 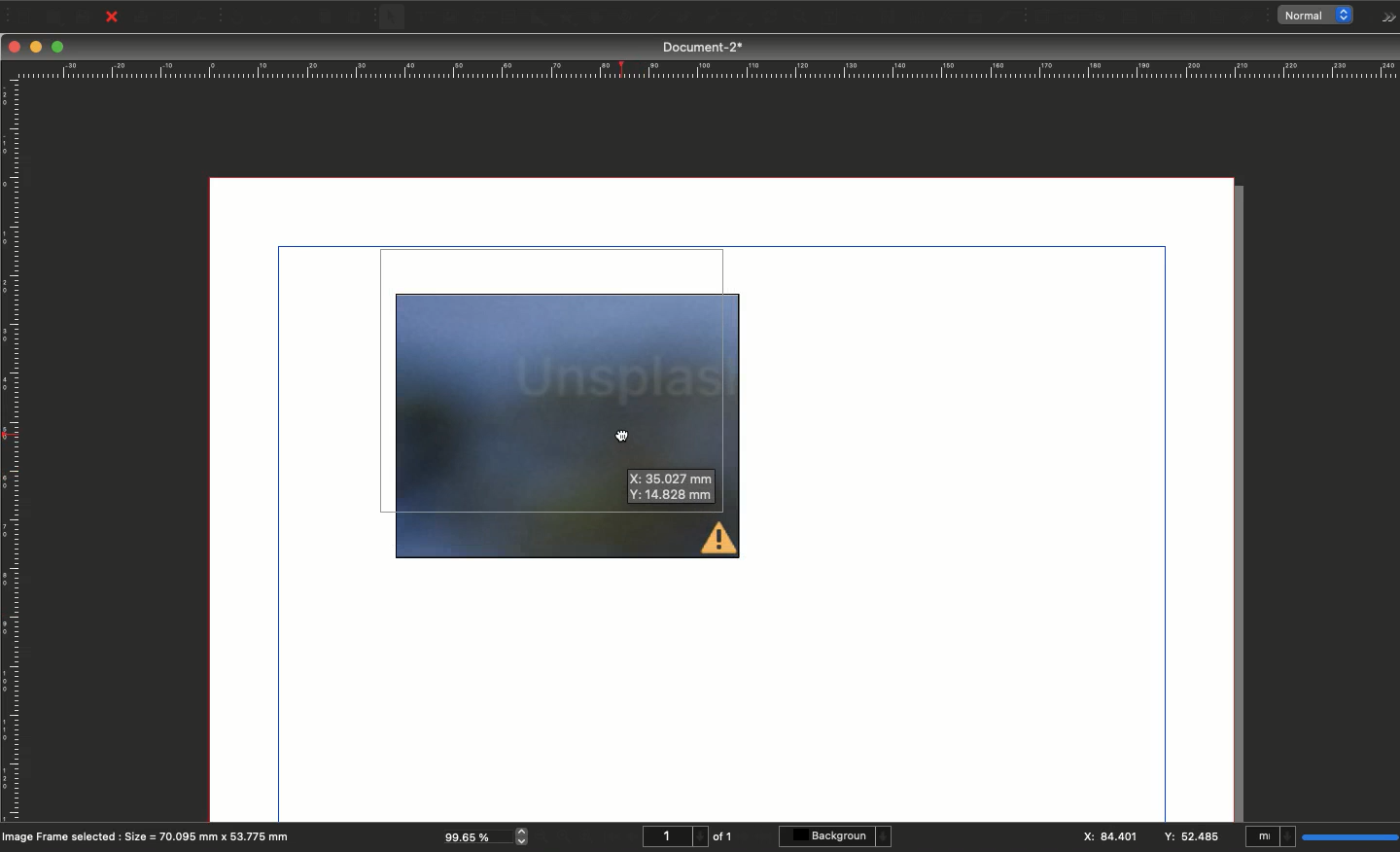 I want to click on Select item, so click(x=393, y=18).